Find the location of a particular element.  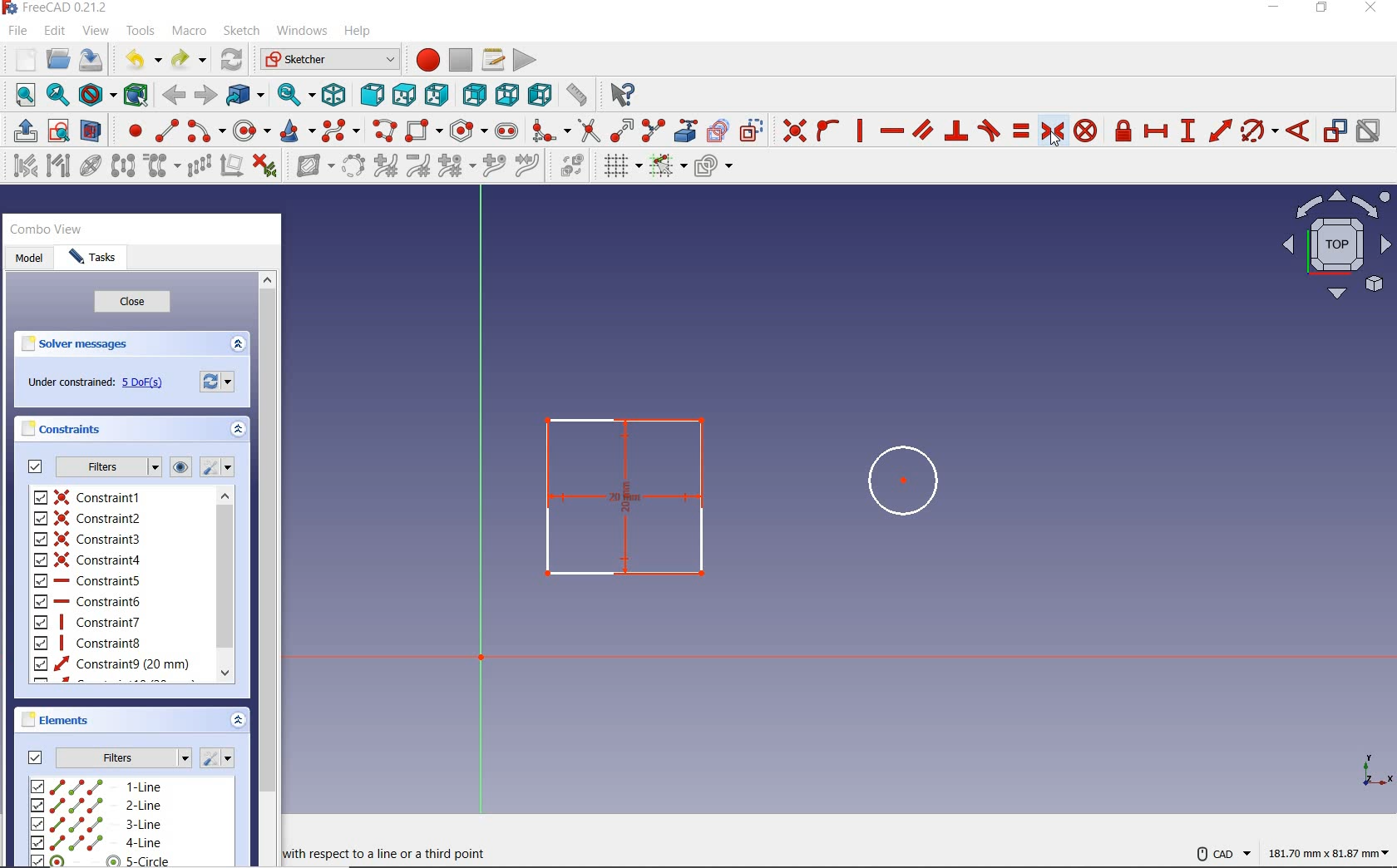

what's this is located at coordinates (622, 94).